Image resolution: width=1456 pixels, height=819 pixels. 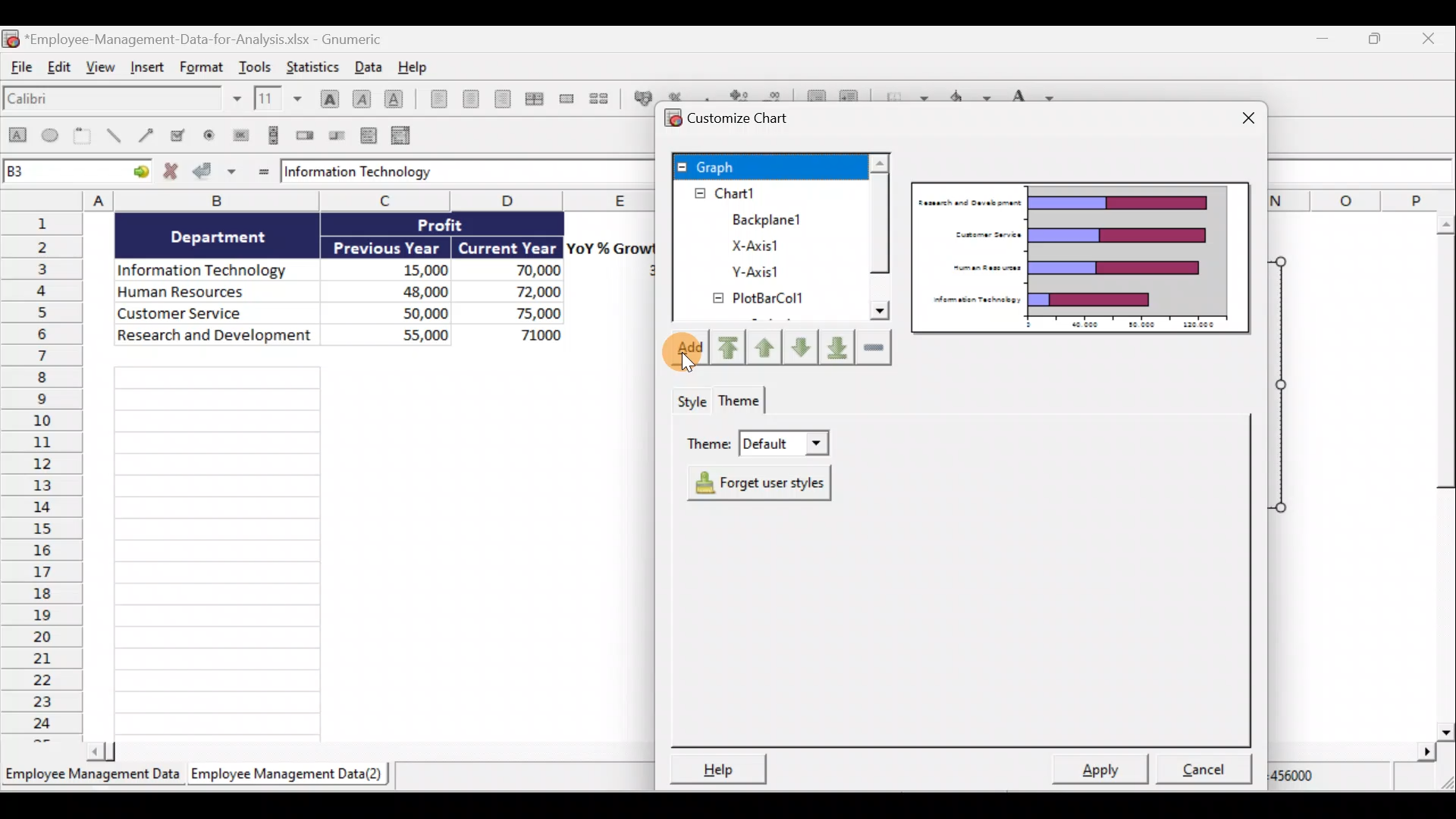 I want to click on Theme, so click(x=758, y=445).